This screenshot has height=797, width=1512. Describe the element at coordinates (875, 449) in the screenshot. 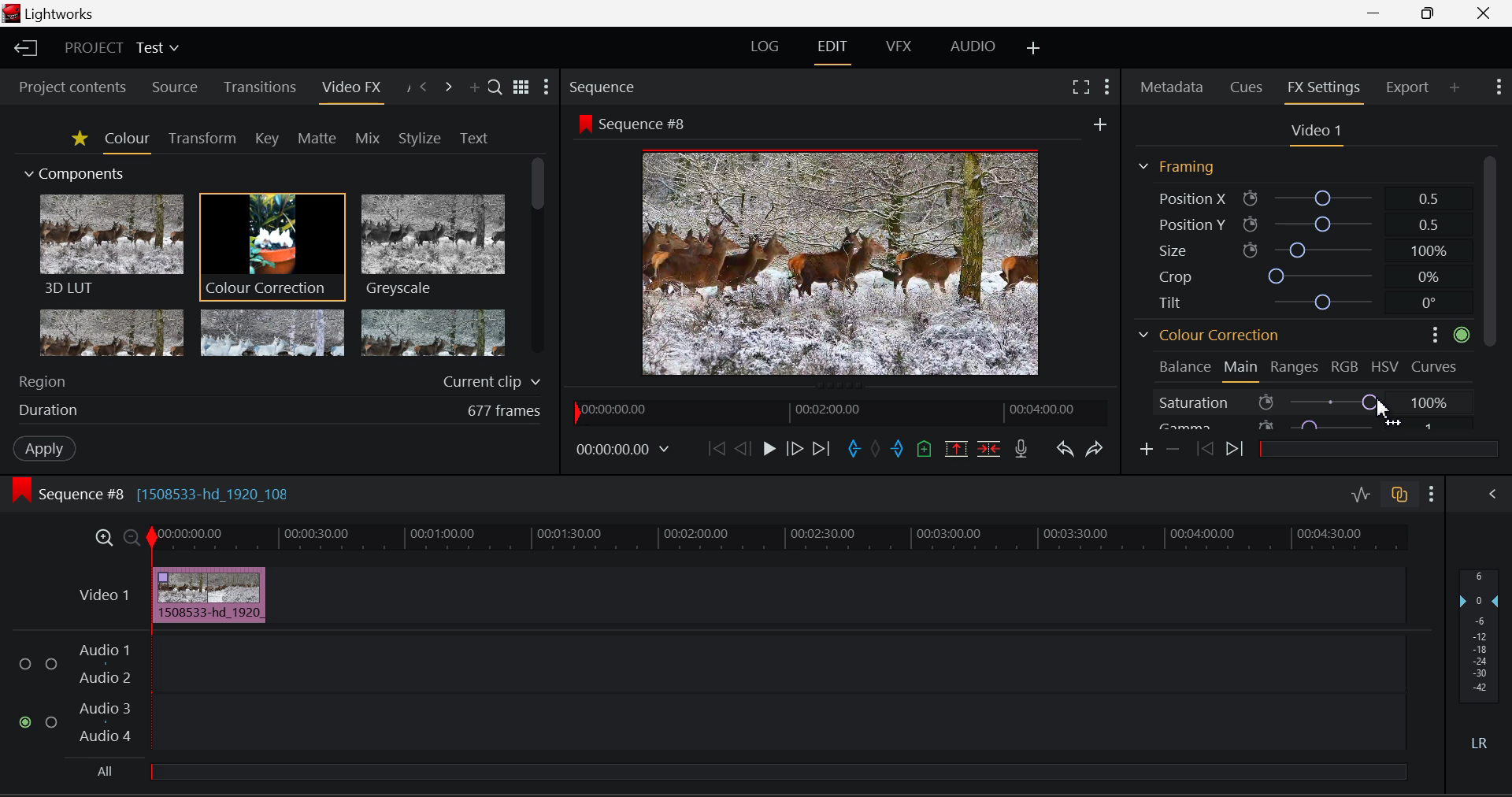

I see `Remove all marks` at that location.